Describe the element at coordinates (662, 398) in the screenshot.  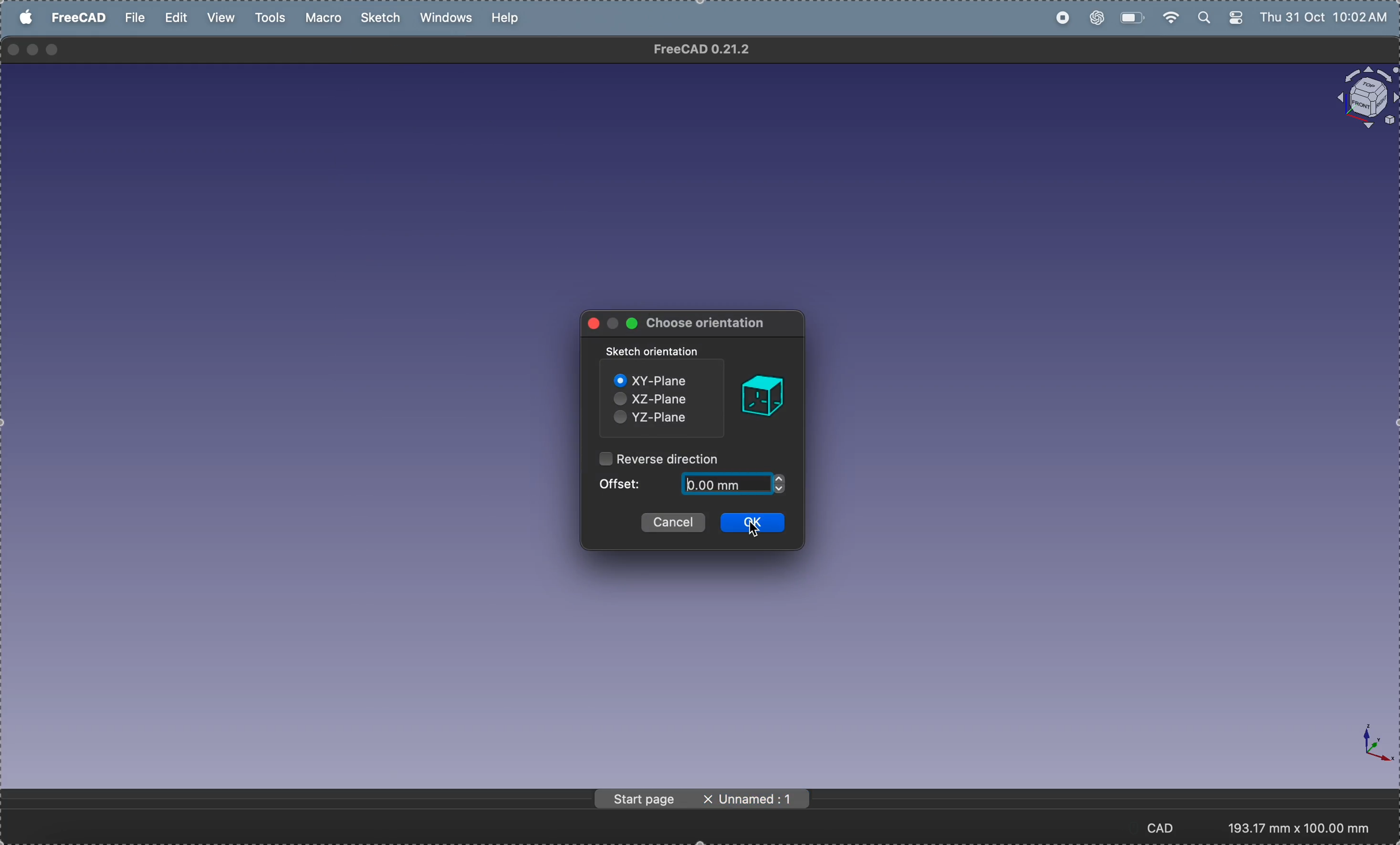
I see `XZ plane` at that location.